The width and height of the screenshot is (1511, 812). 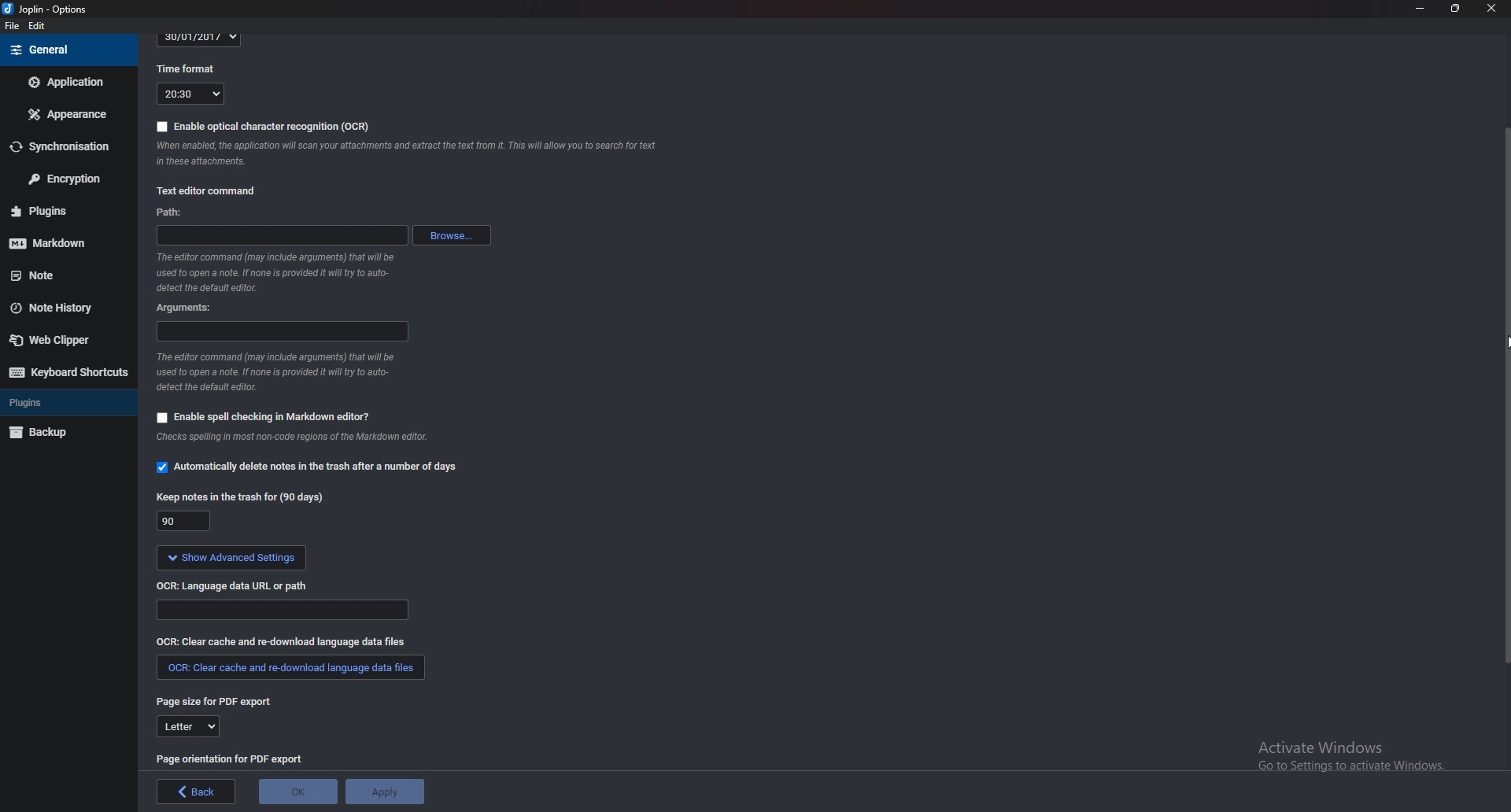 What do you see at coordinates (244, 497) in the screenshot?
I see `Keep notes in the trash for` at bounding box center [244, 497].